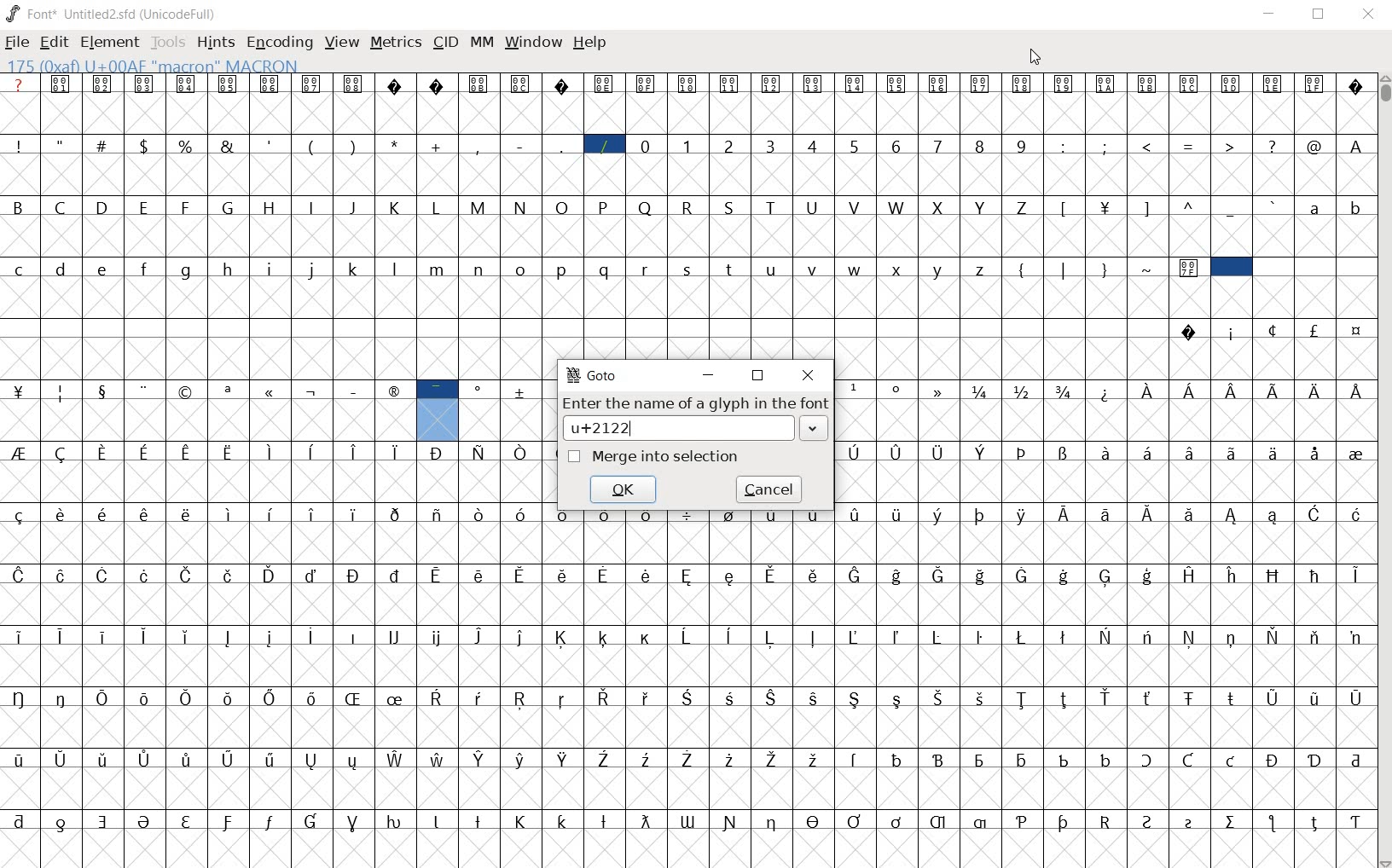 This screenshot has width=1392, height=868. What do you see at coordinates (710, 376) in the screenshot?
I see `minimize` at bounding box center [710, 376].